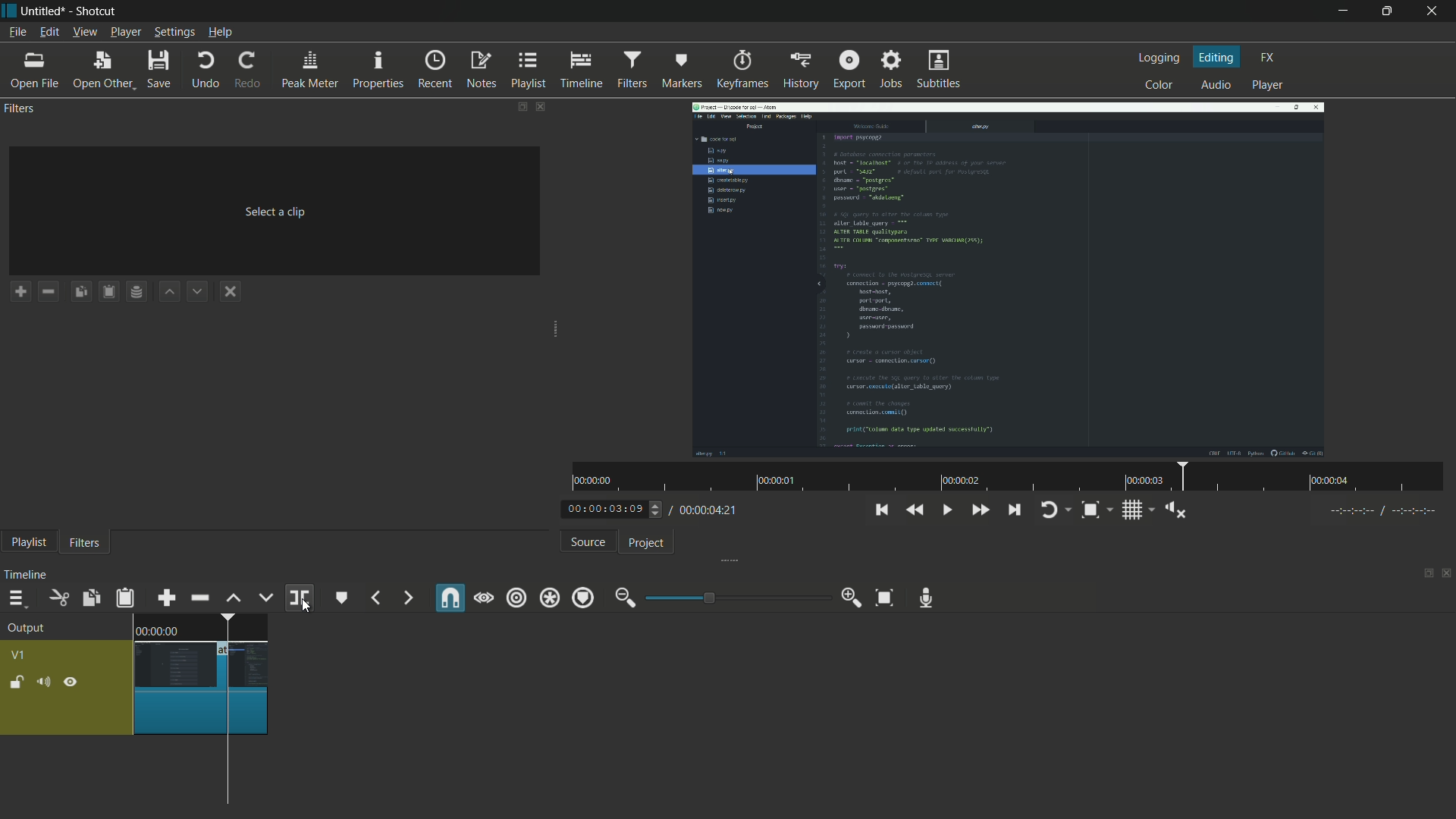 Image resolution: width=1456 pixels, height=819 pixels. I want to click on copy, so click(90, 598).